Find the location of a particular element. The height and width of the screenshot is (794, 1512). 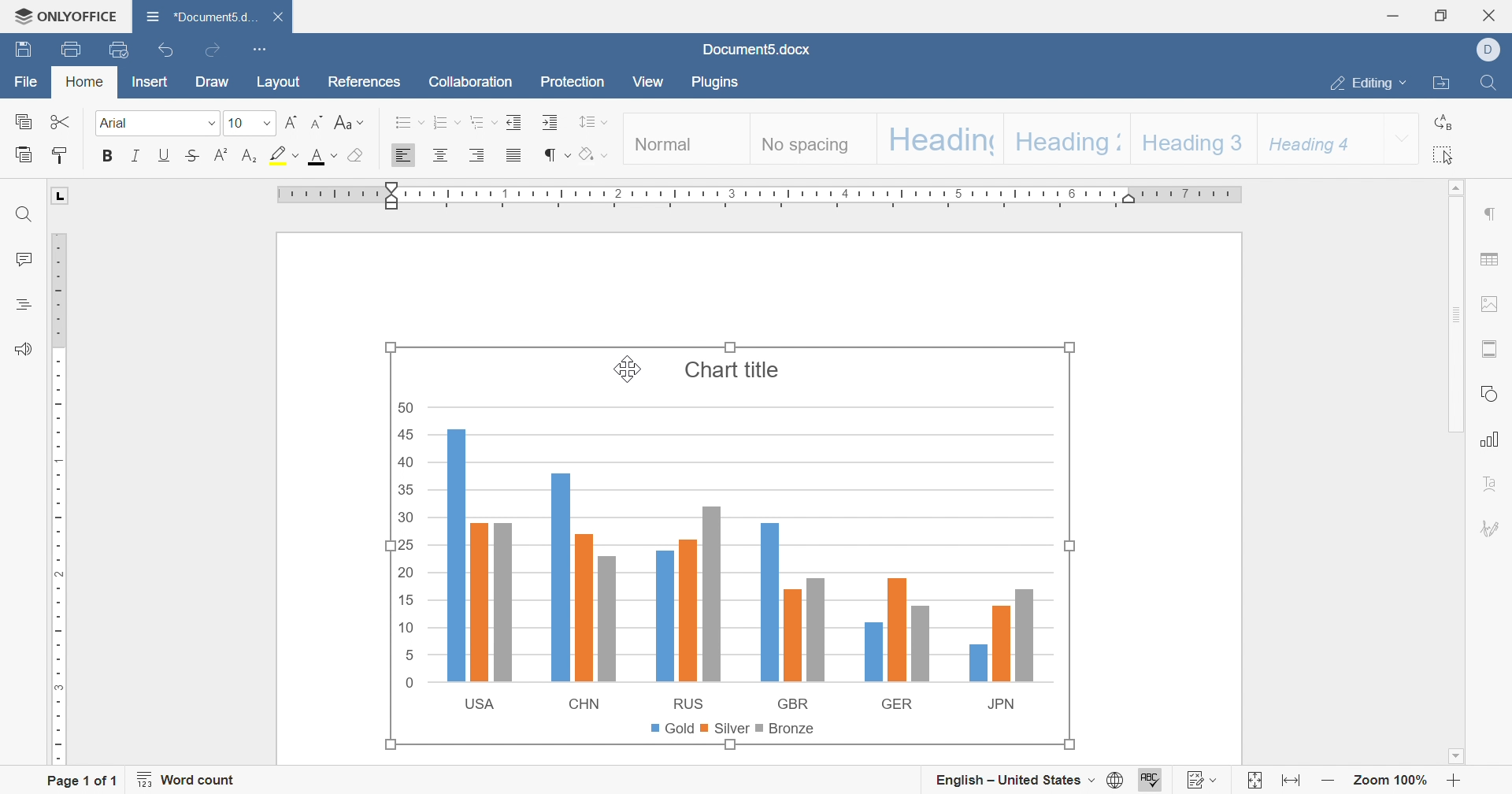

close is located at coordinates (1491, 15).